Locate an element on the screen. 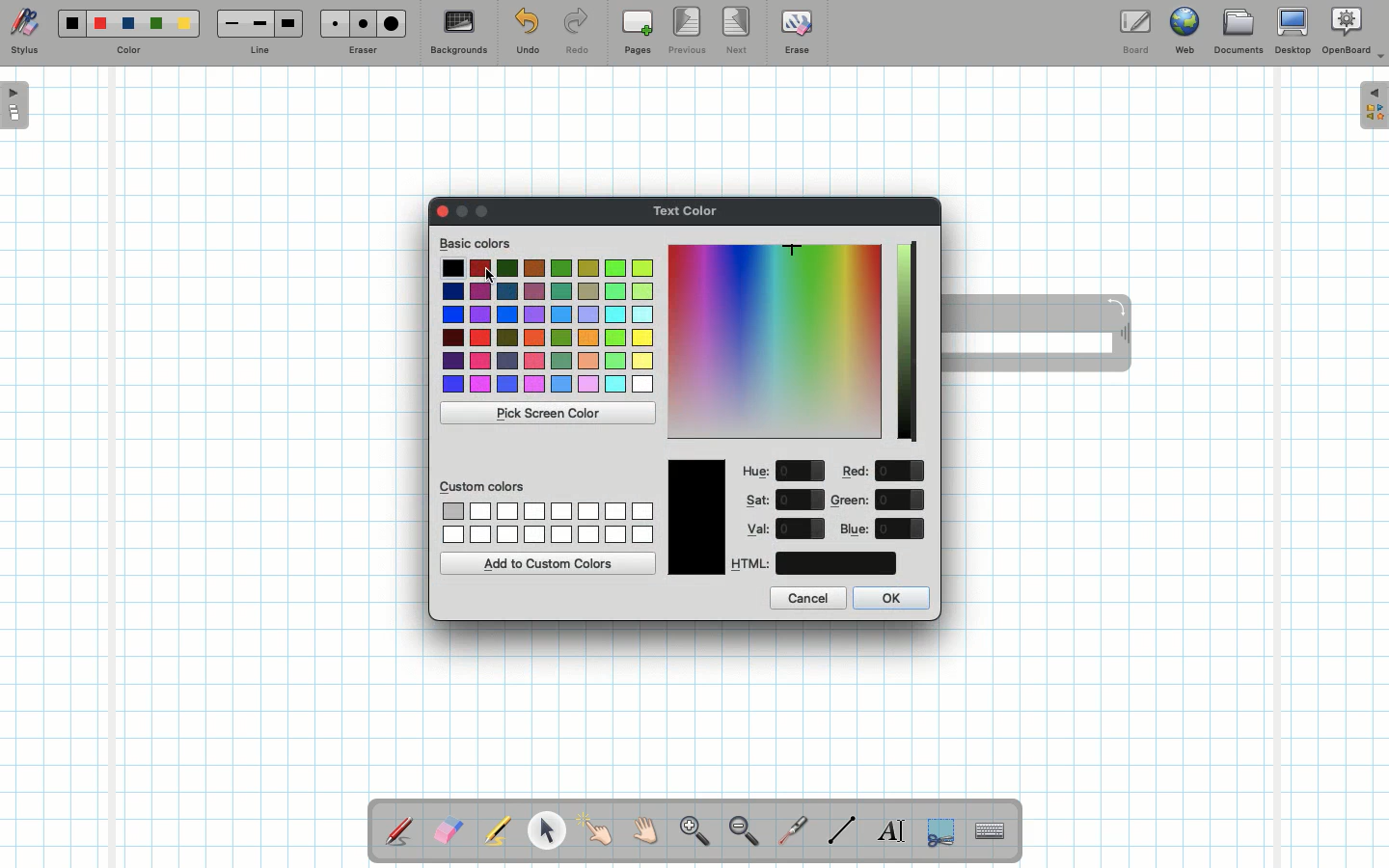 The width and height of the screenshot is (1389, 868). Zoom out is located at coordinates (744, 832).